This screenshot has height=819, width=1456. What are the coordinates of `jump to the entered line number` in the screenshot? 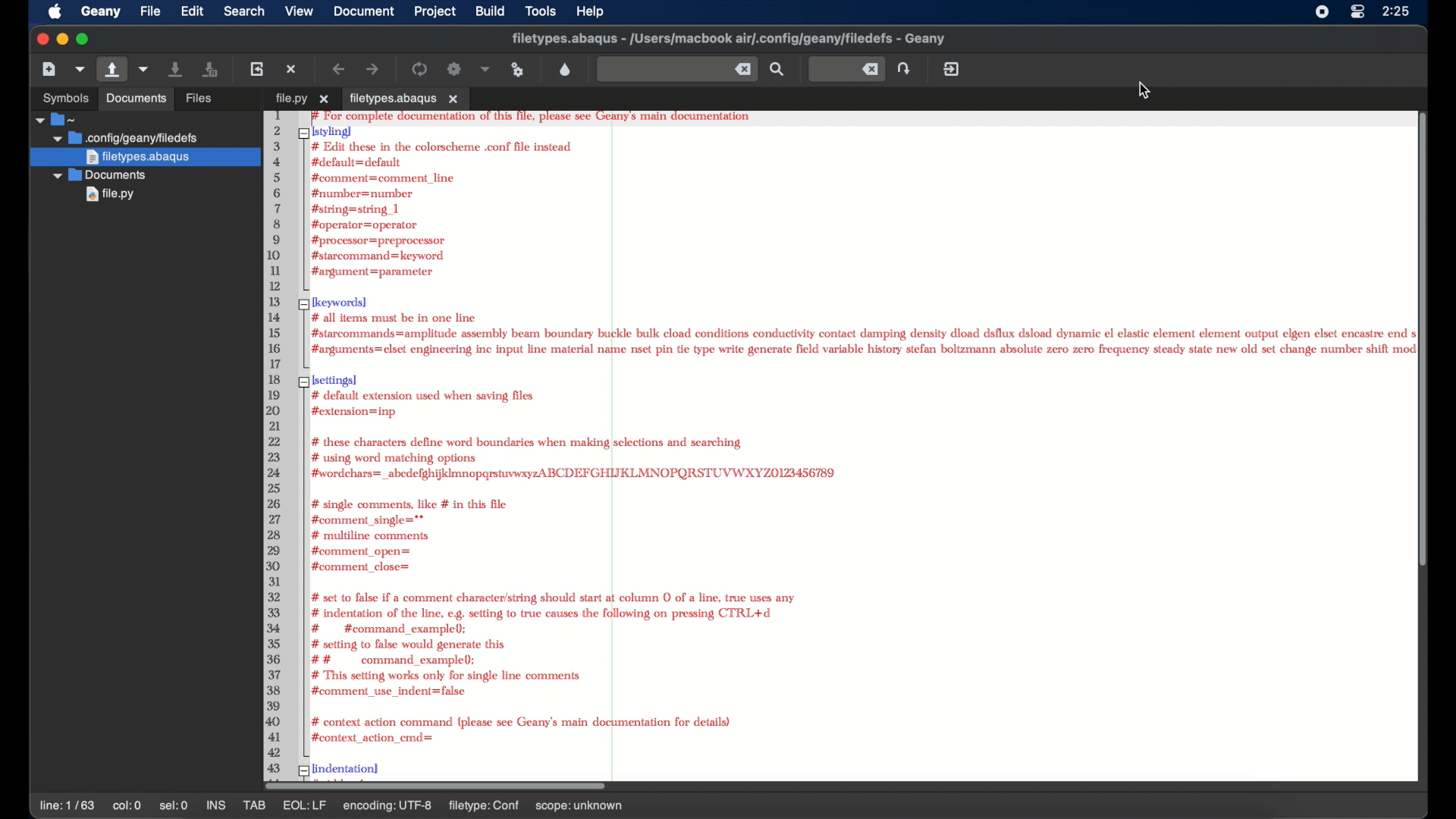 It's located at (846, 69).